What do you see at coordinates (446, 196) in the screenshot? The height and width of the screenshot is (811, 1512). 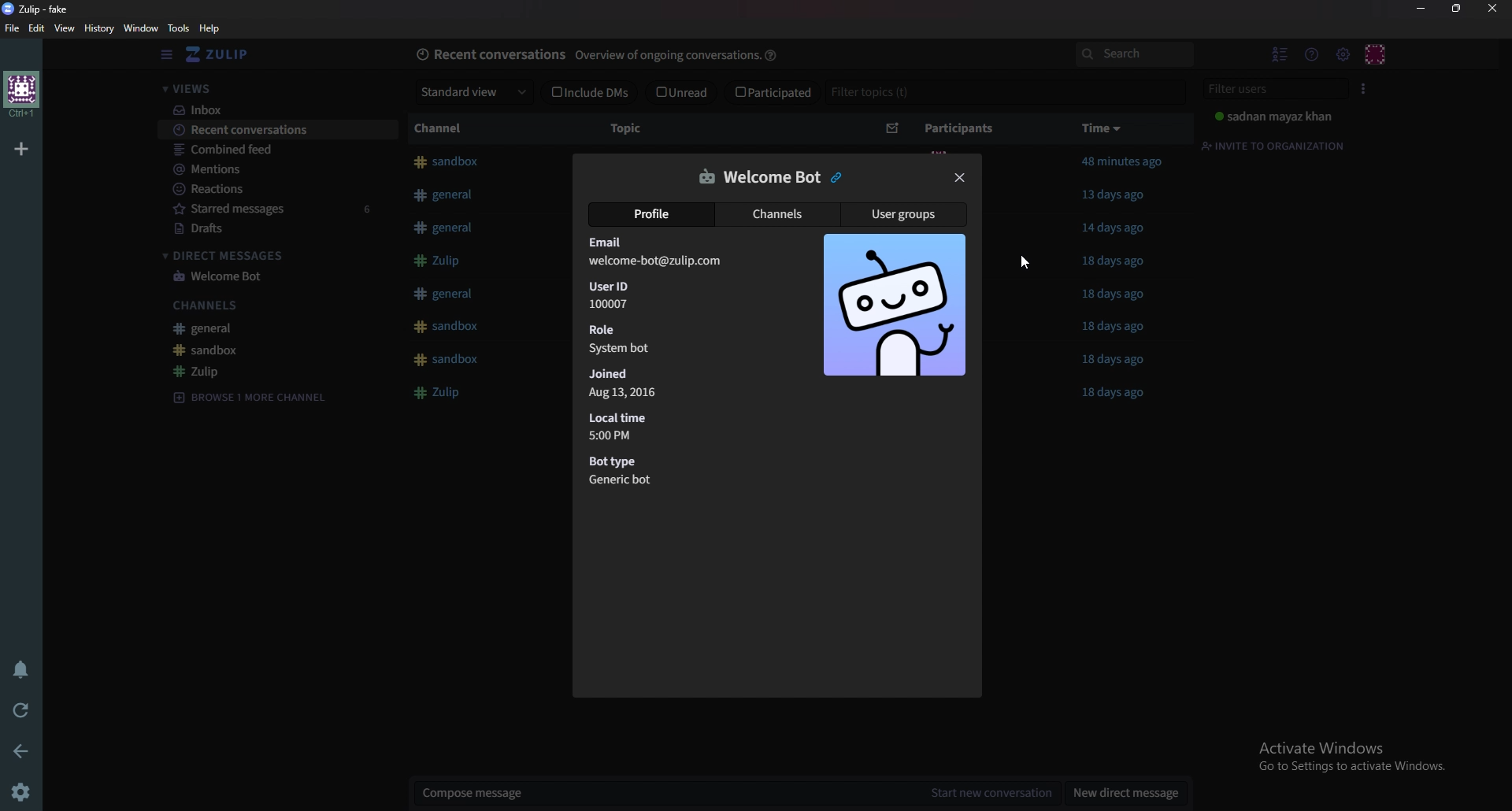 I see `#general` at bounding box center [446, 196].